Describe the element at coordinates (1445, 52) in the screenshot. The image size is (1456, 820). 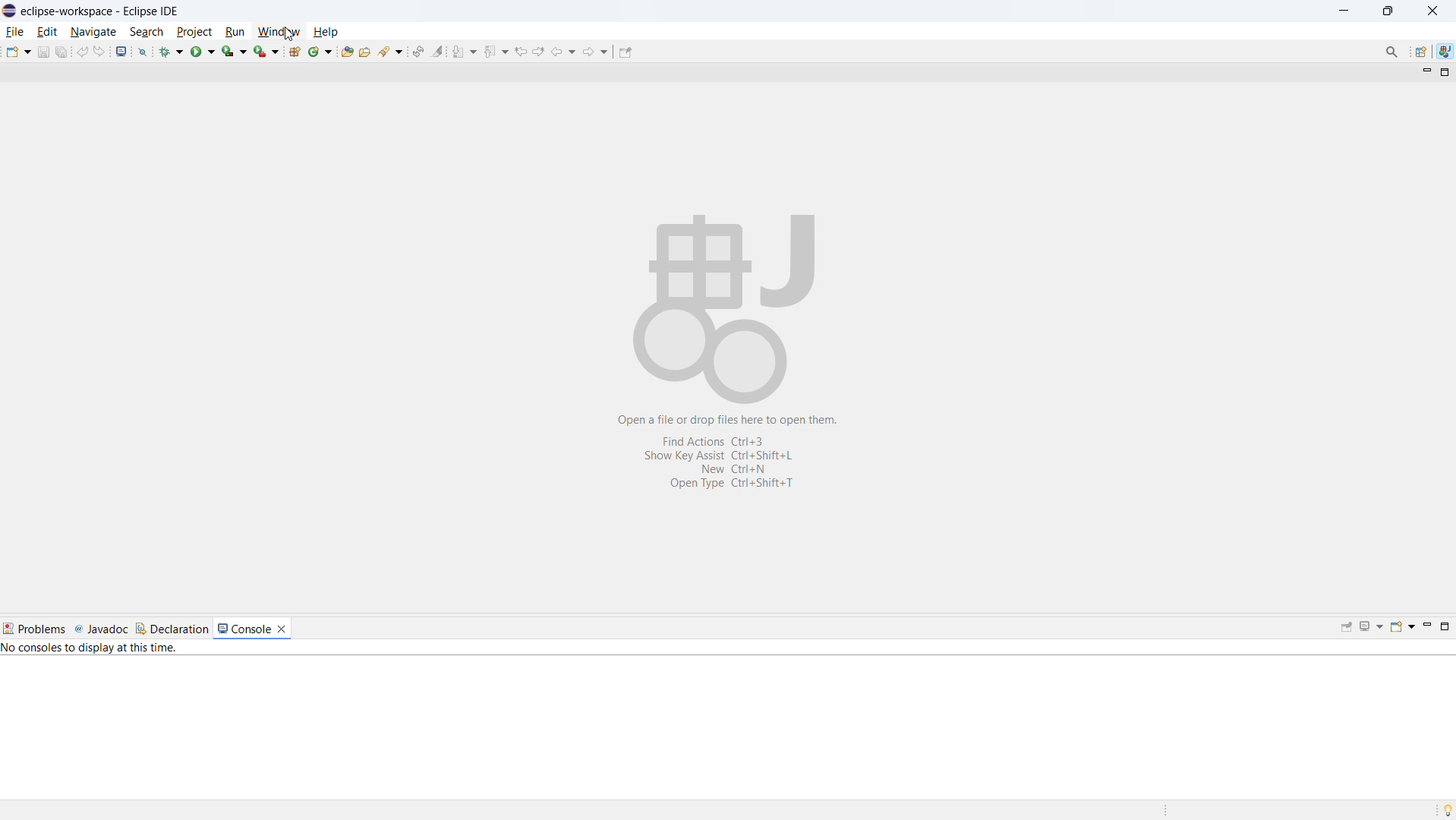
I see `java` at that location.